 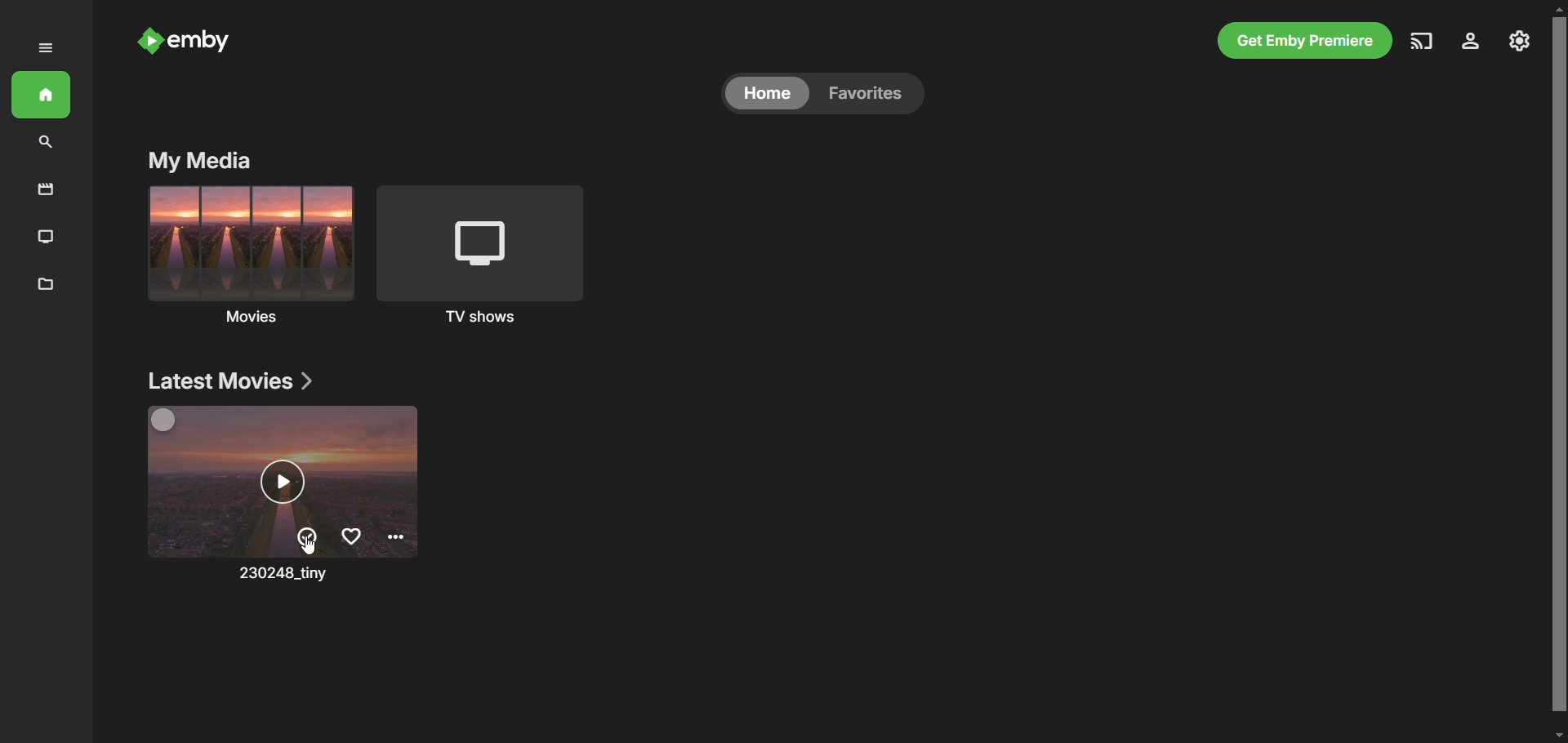 What do you see at coordinates (202, 43) in the screenshot?
I see `emby` at bounding box center [202, 43].